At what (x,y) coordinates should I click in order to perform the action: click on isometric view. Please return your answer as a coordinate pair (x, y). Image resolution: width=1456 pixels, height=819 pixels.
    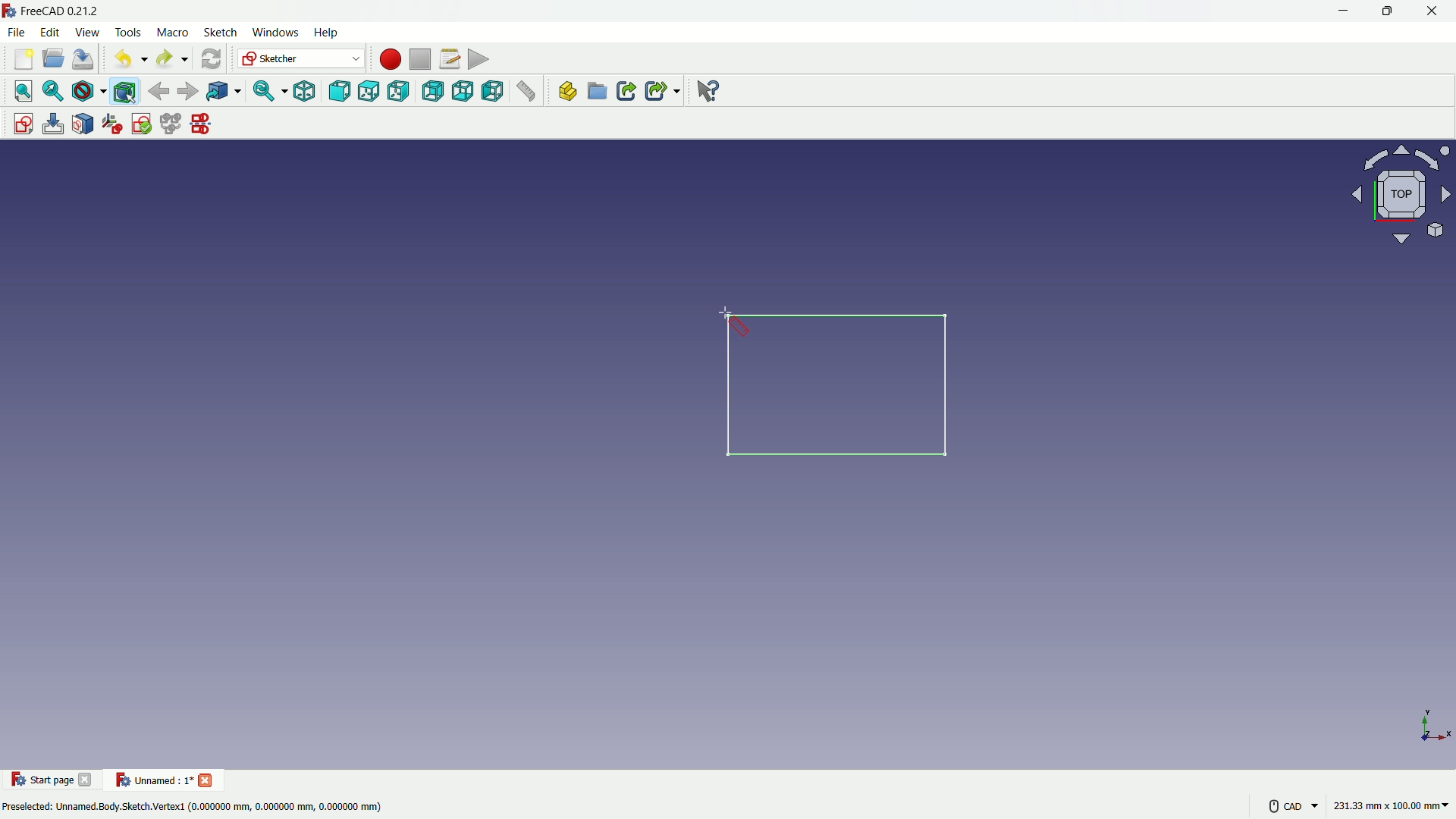
    Looking at the image, I should click on (300, 91).